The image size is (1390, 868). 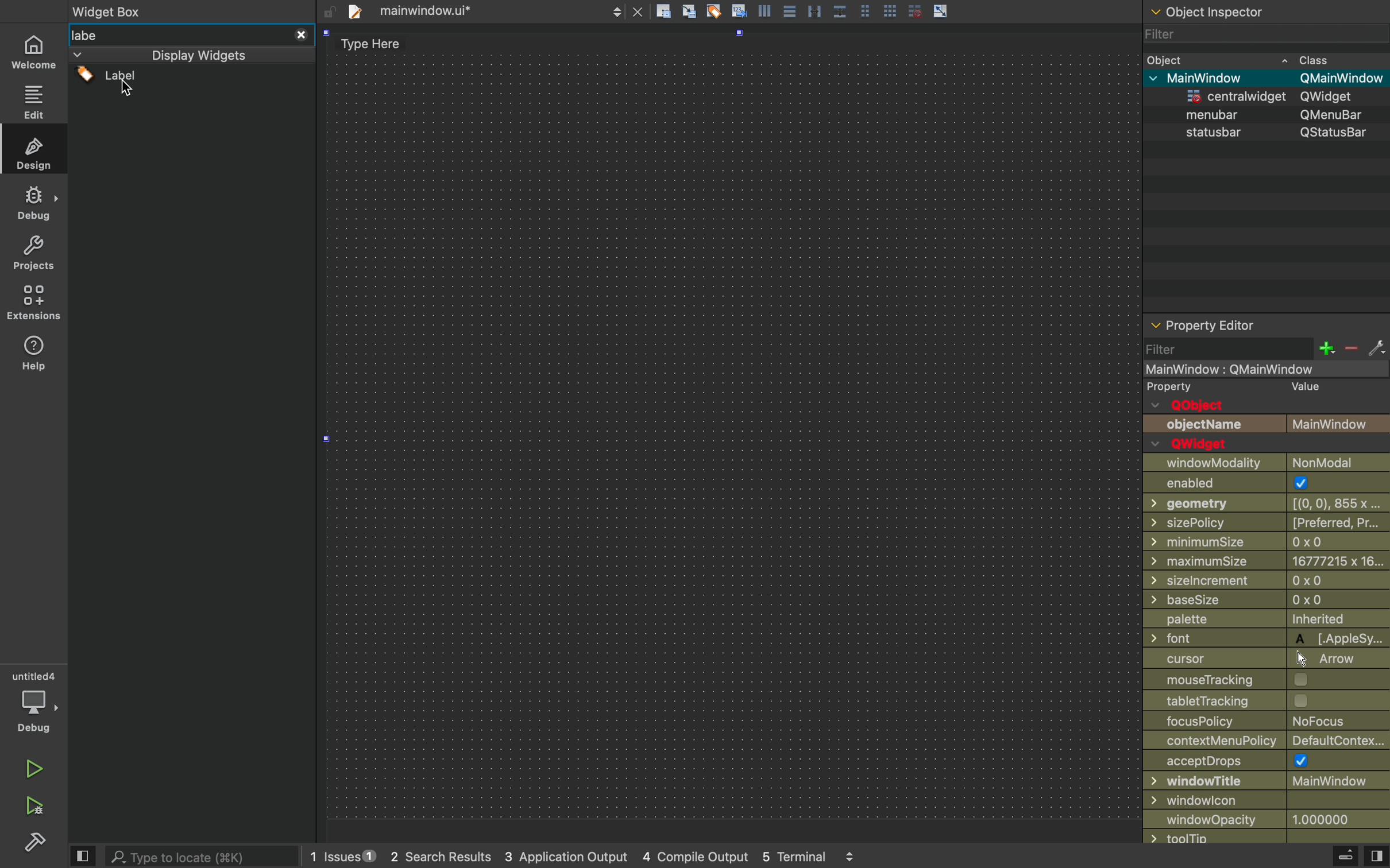 What do you see at coordinates (1332, 857) in the screenshot?
I see `debug menu` at bounding box center [1332, 857].